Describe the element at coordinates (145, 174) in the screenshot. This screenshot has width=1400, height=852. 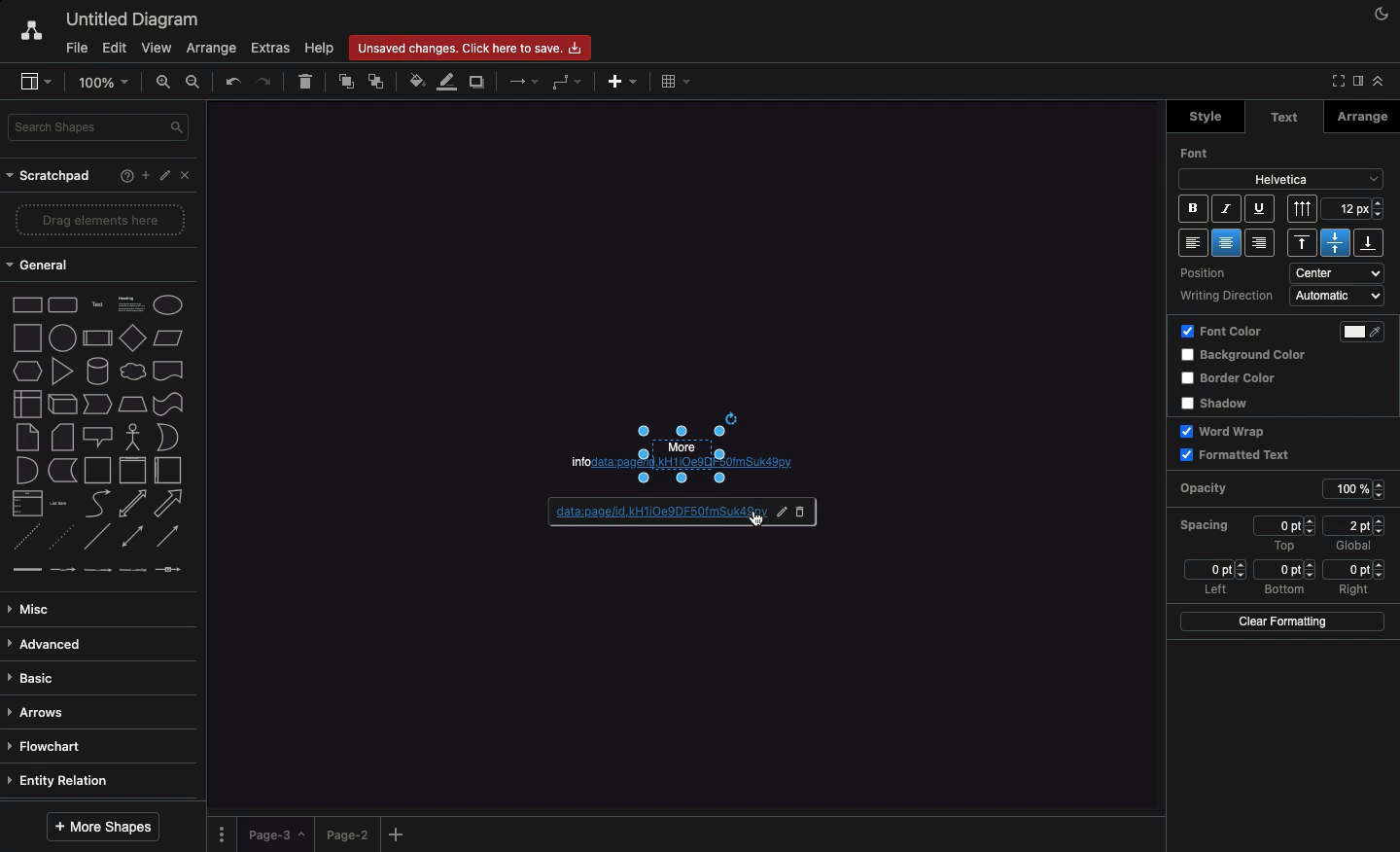
I see `Add` at that location.